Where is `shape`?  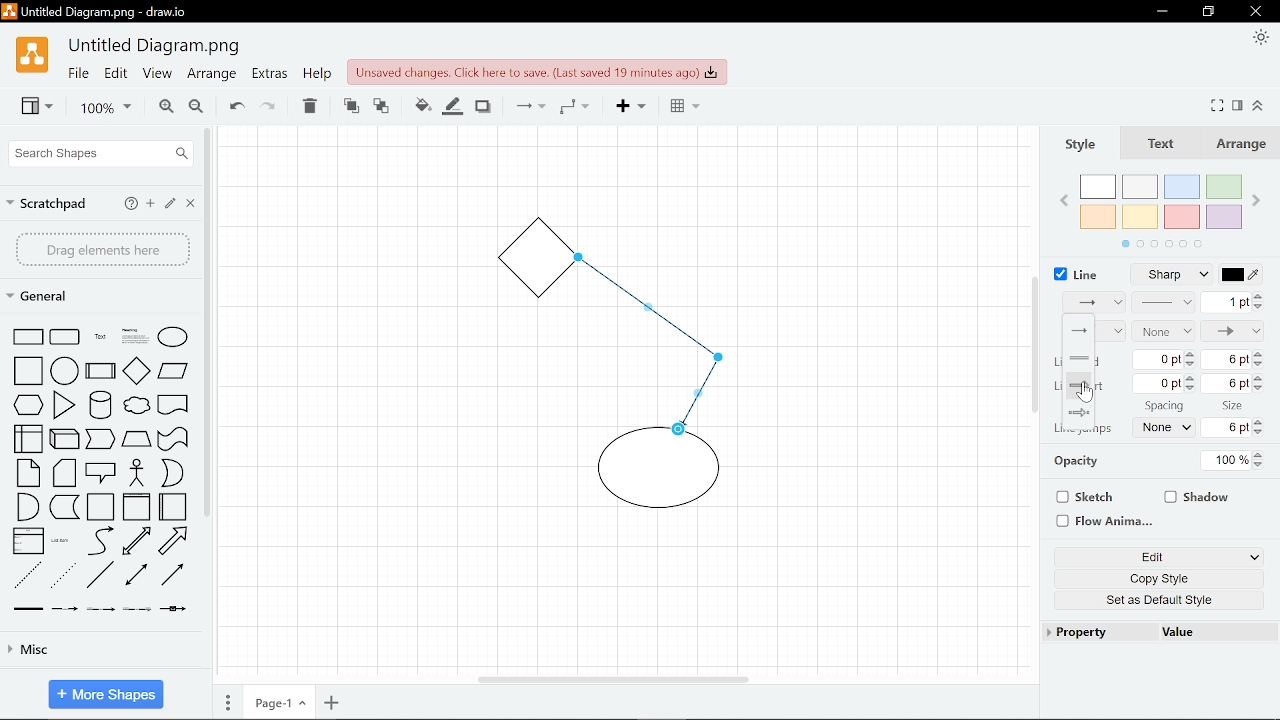
shape is located at coordinates (137, 370).